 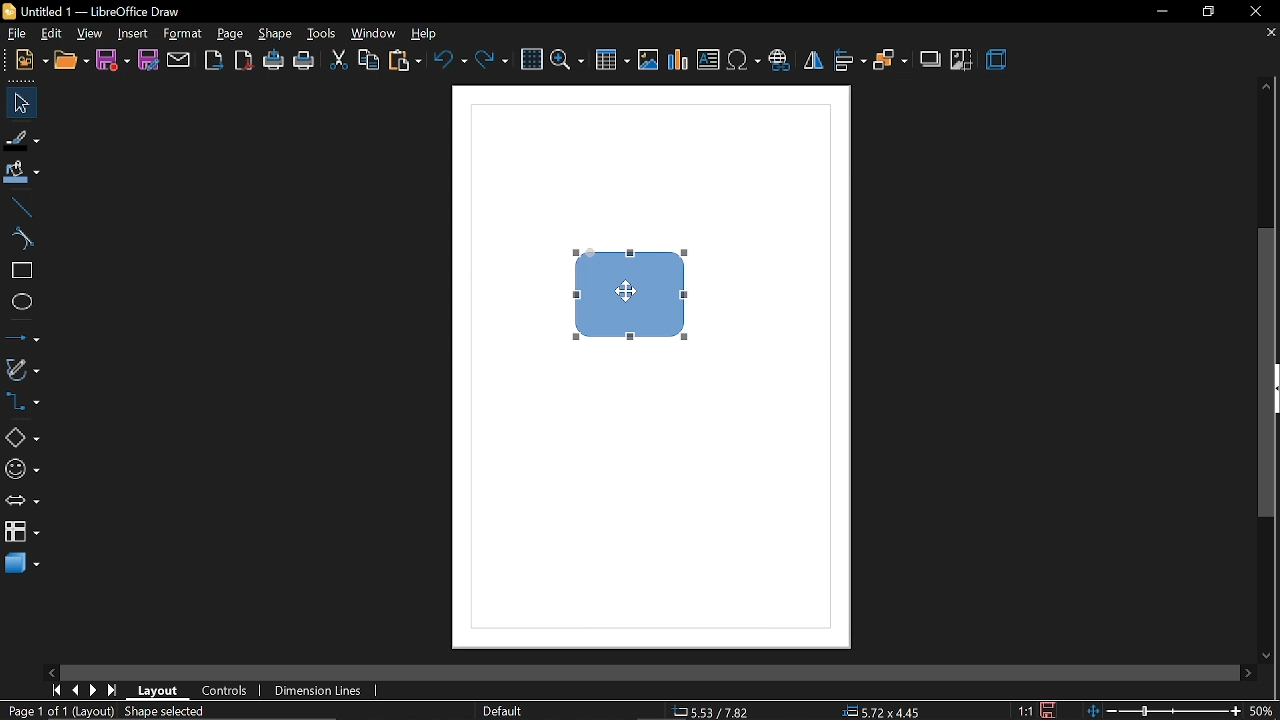 I want to click on print directly, so click(x=272, y=59).